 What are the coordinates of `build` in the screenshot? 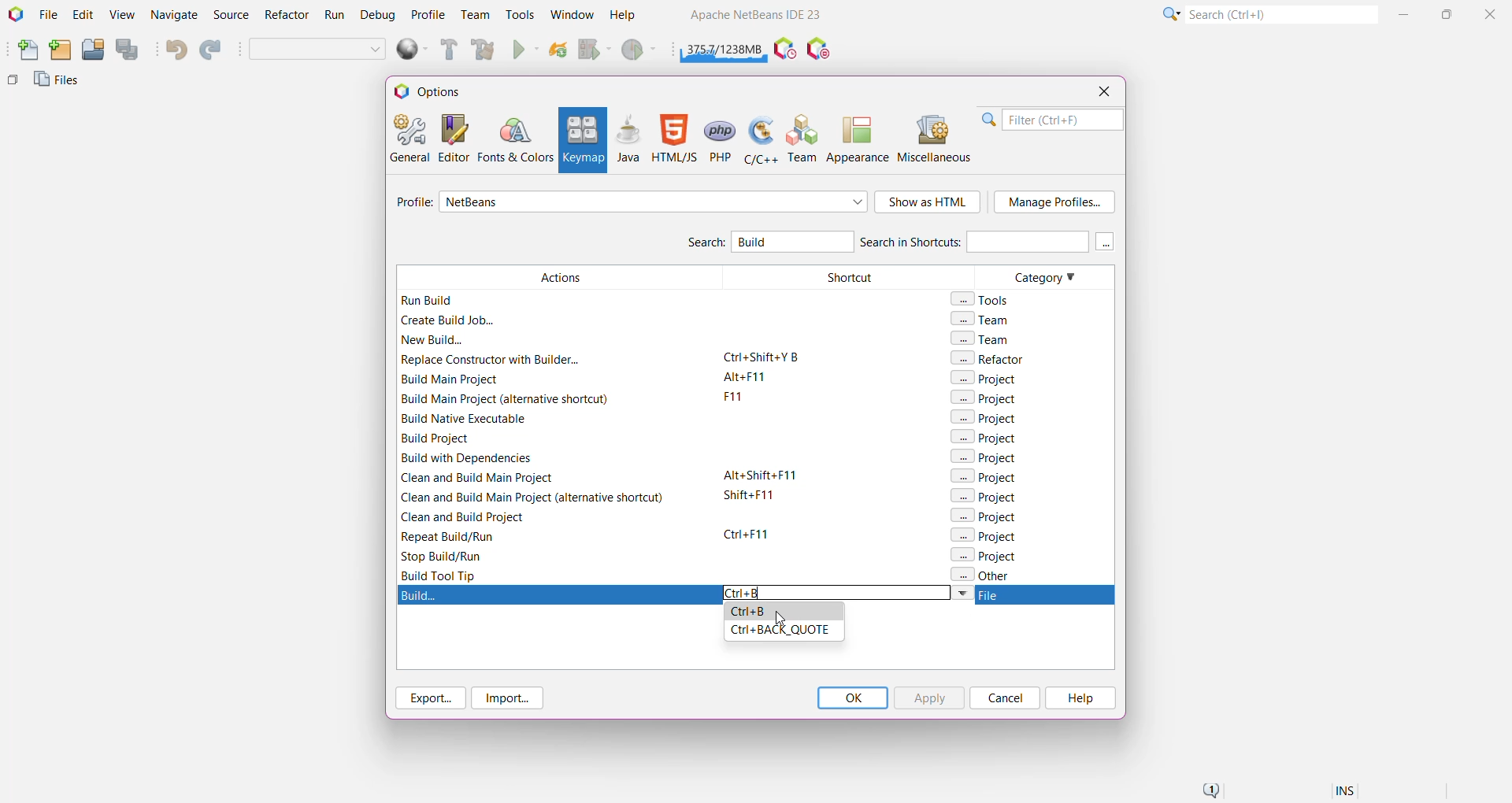 It's located at (563, 596).